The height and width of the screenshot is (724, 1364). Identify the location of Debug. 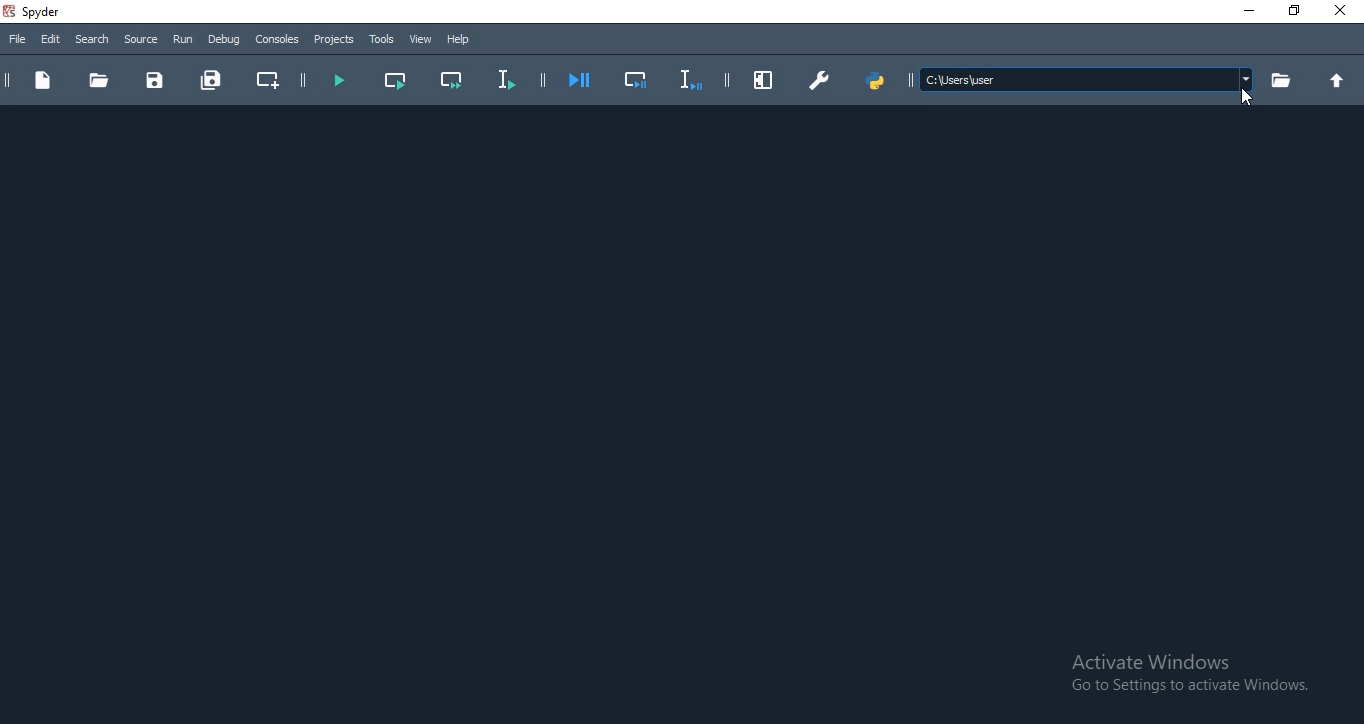
(224, 40).